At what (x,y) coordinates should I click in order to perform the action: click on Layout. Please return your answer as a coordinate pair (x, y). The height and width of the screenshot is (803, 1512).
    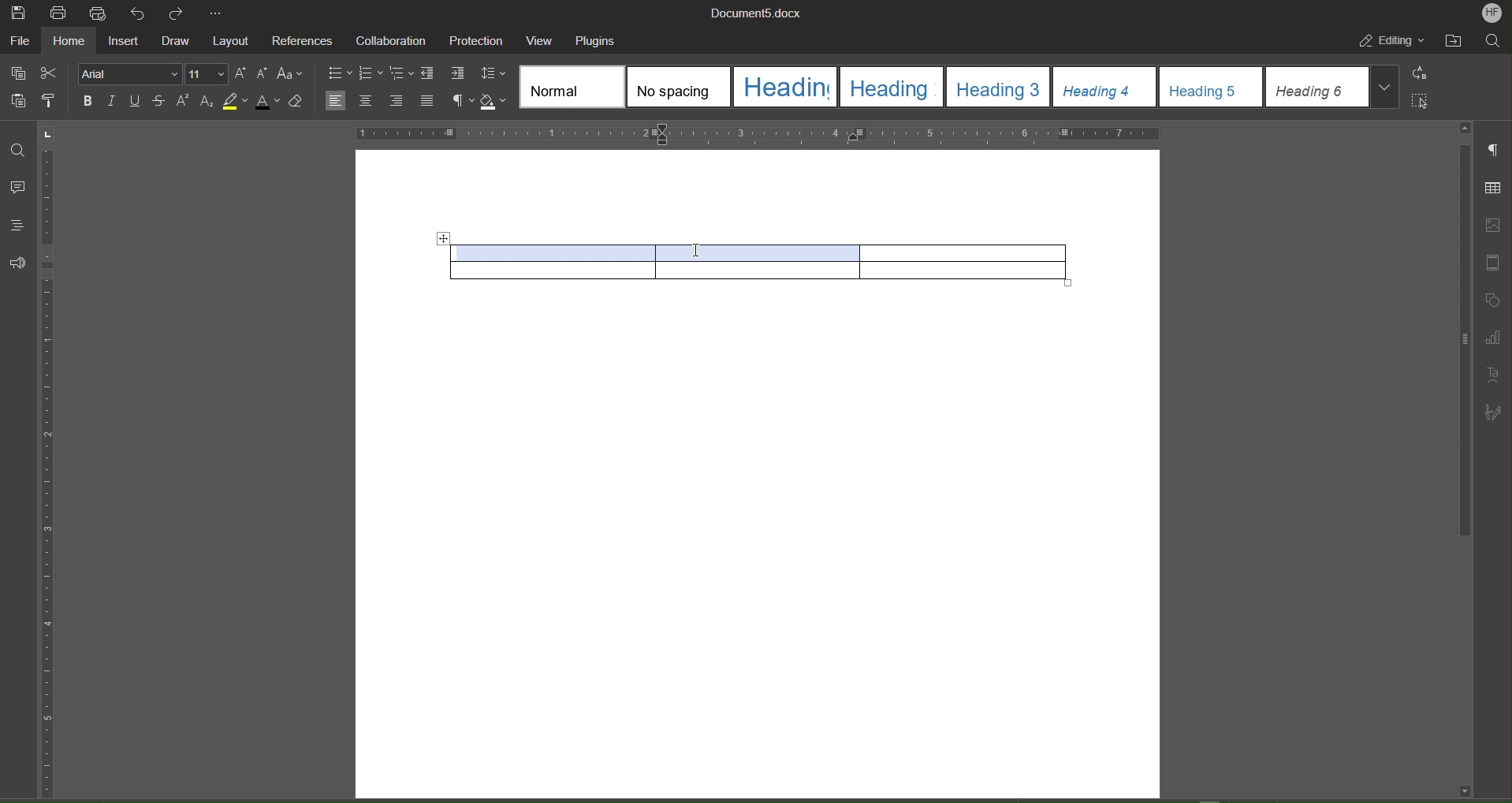
    Looking at the image, I should click on (234, 43).